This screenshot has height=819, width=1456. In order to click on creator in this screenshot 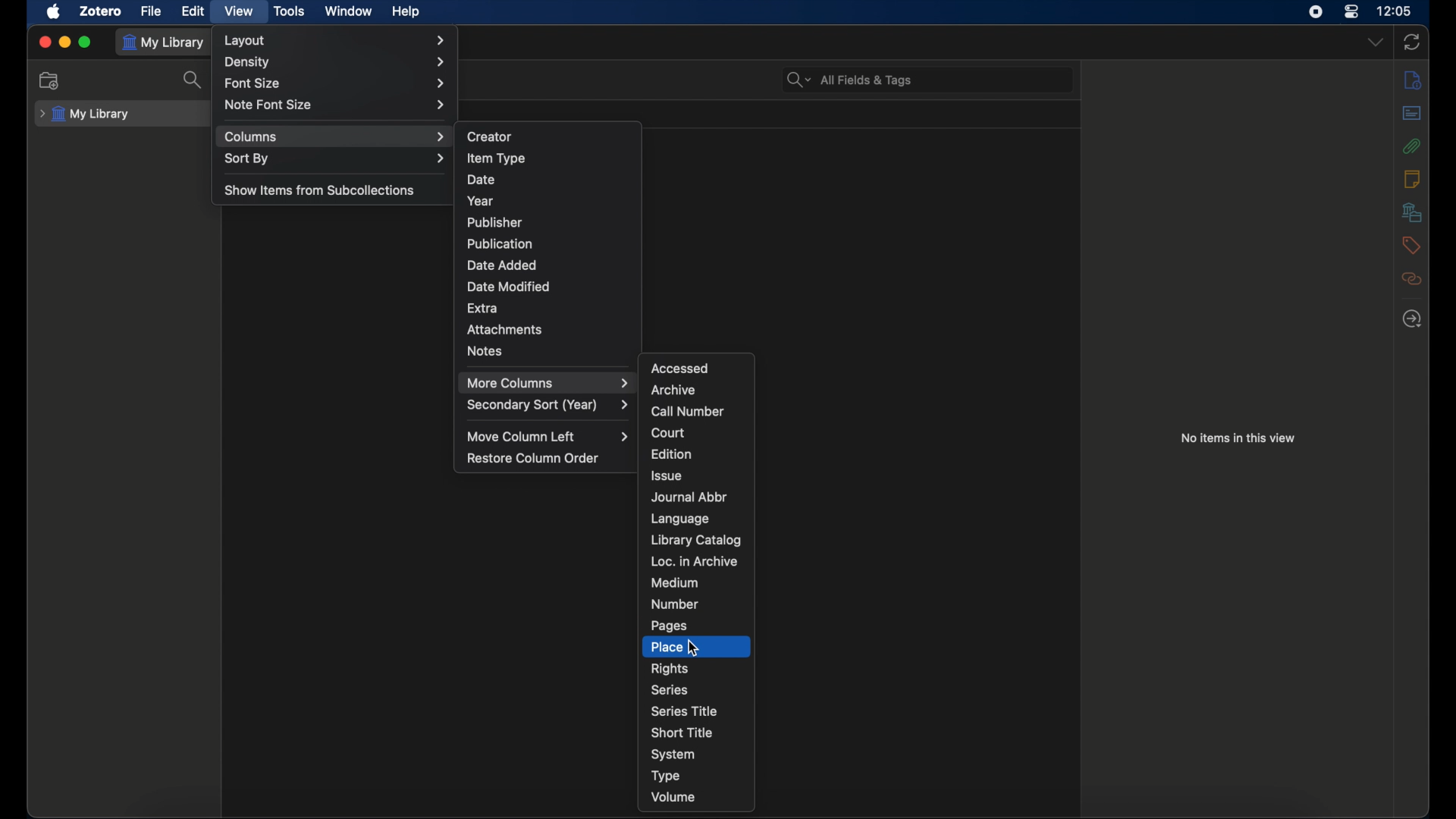, I will do `click(491, 136)`.